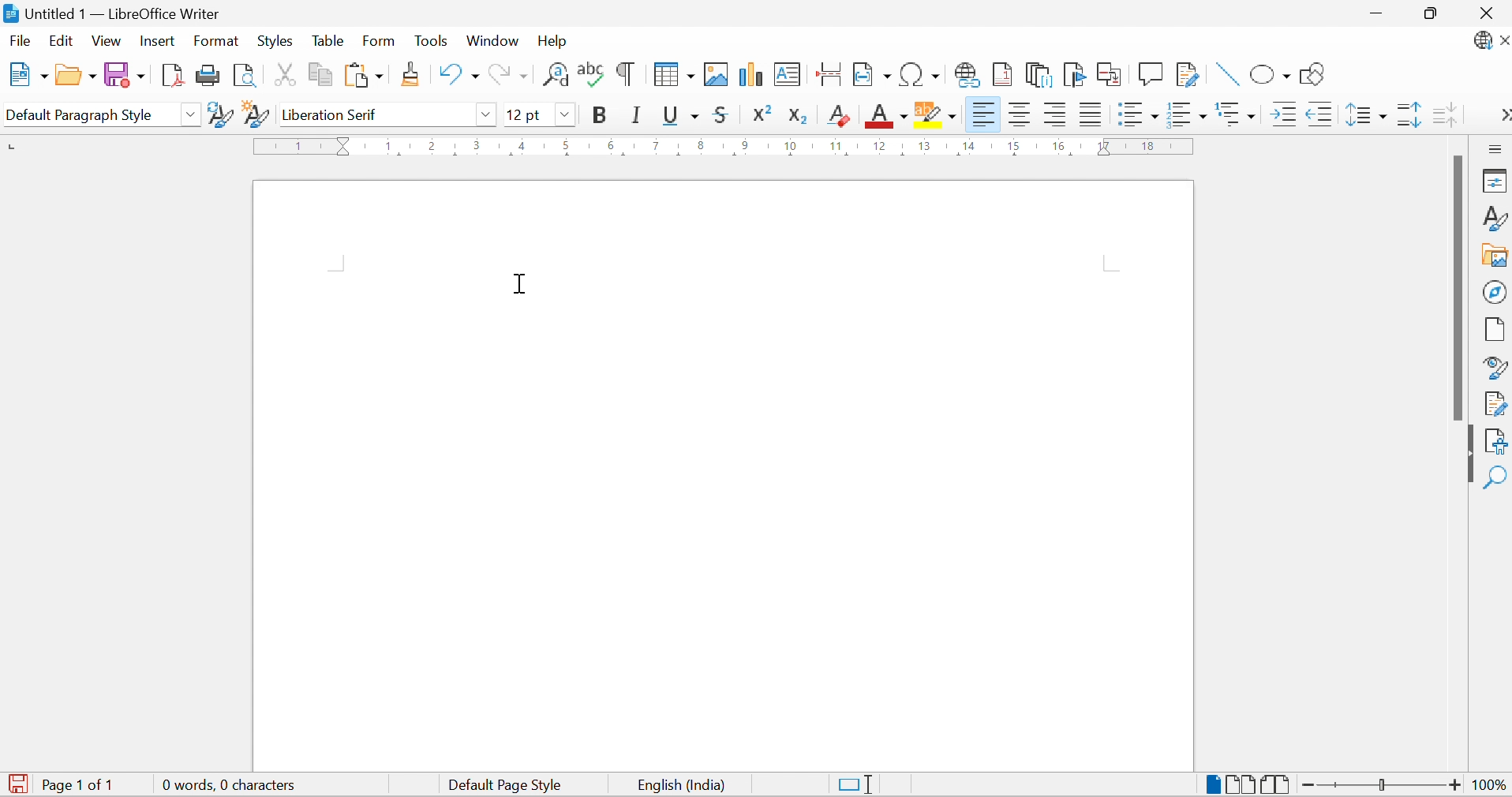 The width and height of the screenshot is (1512, 797). What do you see at coordinates (492, 42) in the screenshot?
I see `Window` at bounding box center [492, 42].